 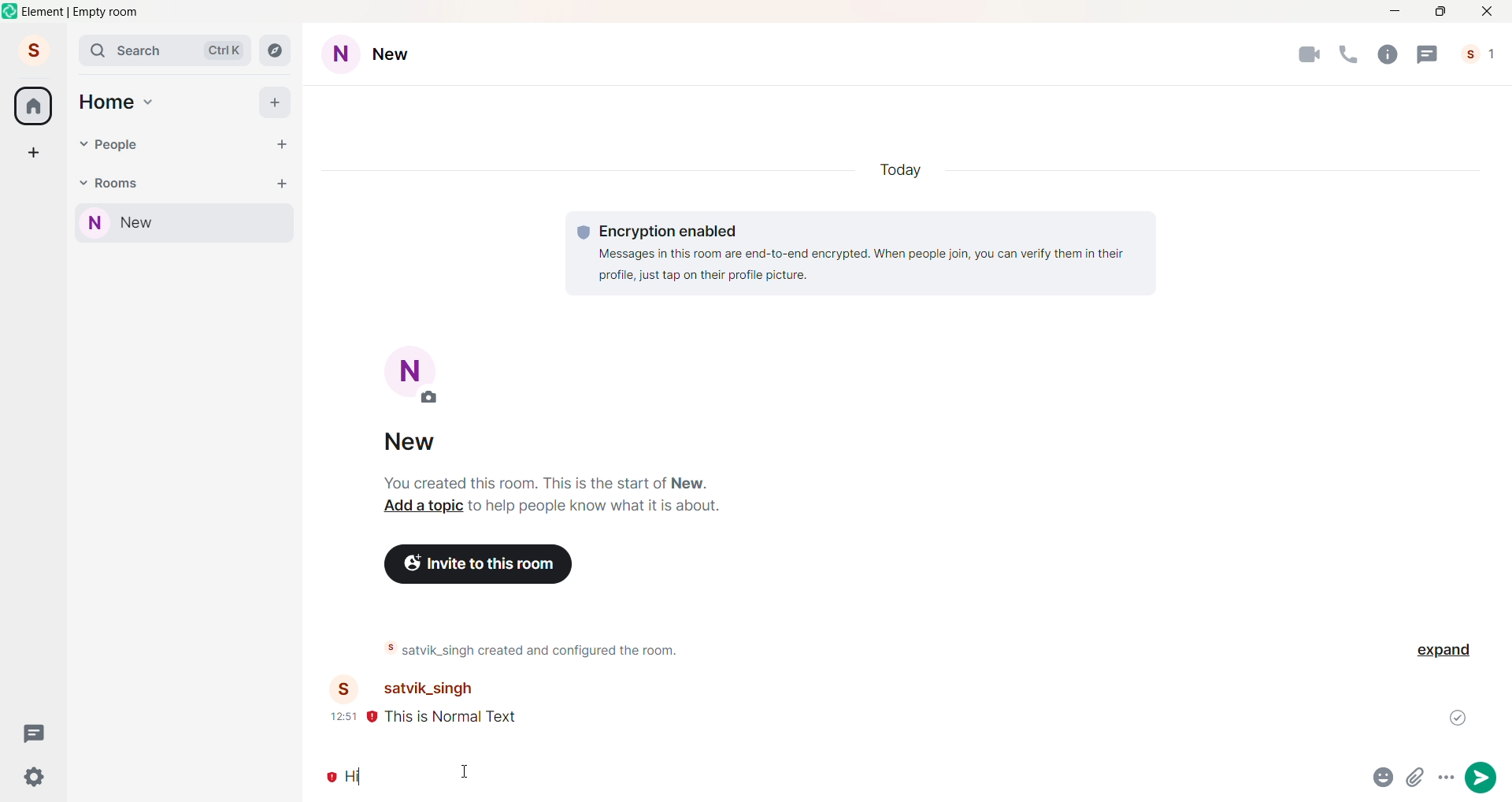 What do you see at coordinates (343, 716) in the screenshot?
I see `12:51` at bounding box center [343, 716].